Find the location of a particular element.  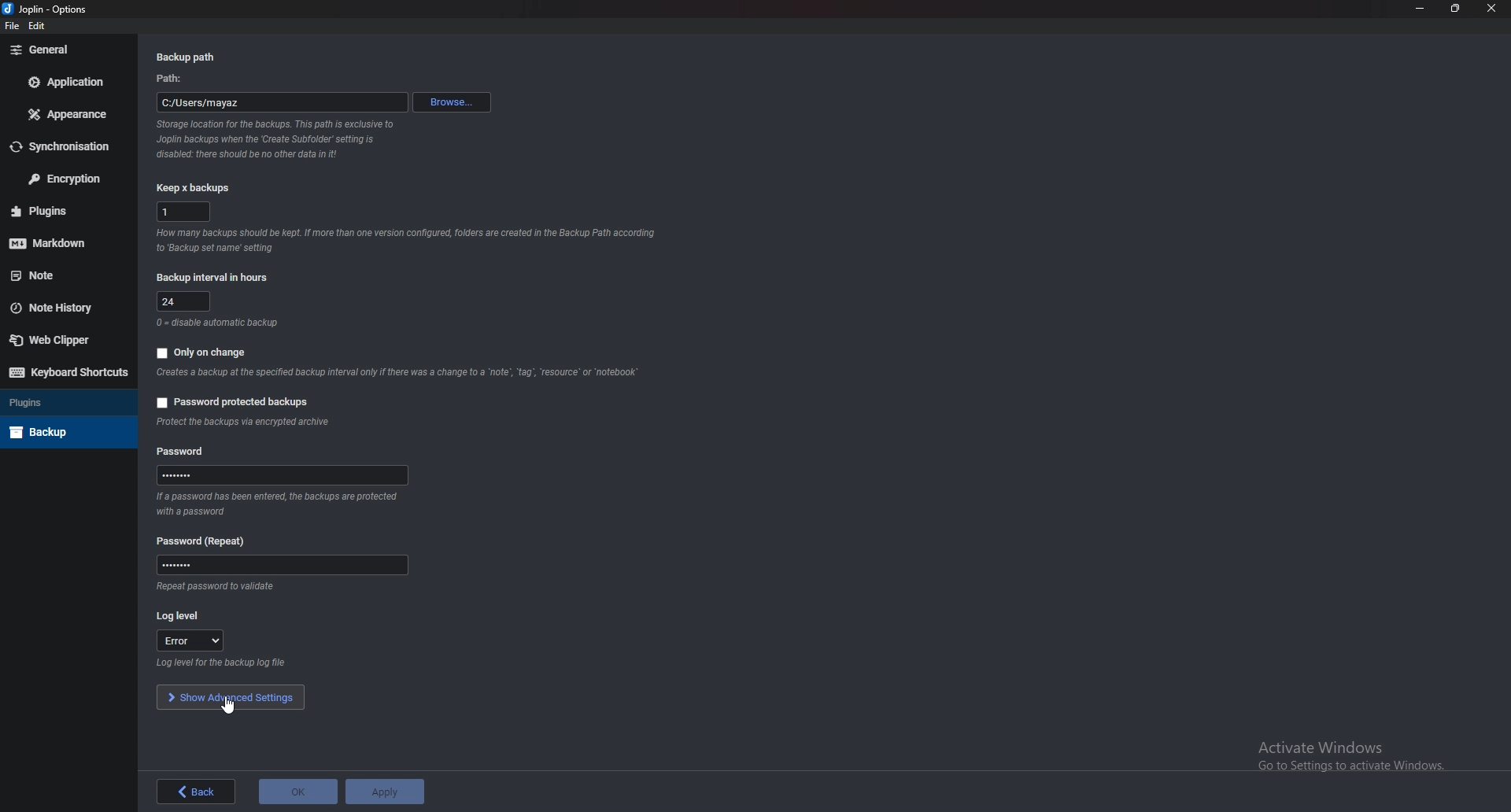

Back up is located at coordinates (65, 430).